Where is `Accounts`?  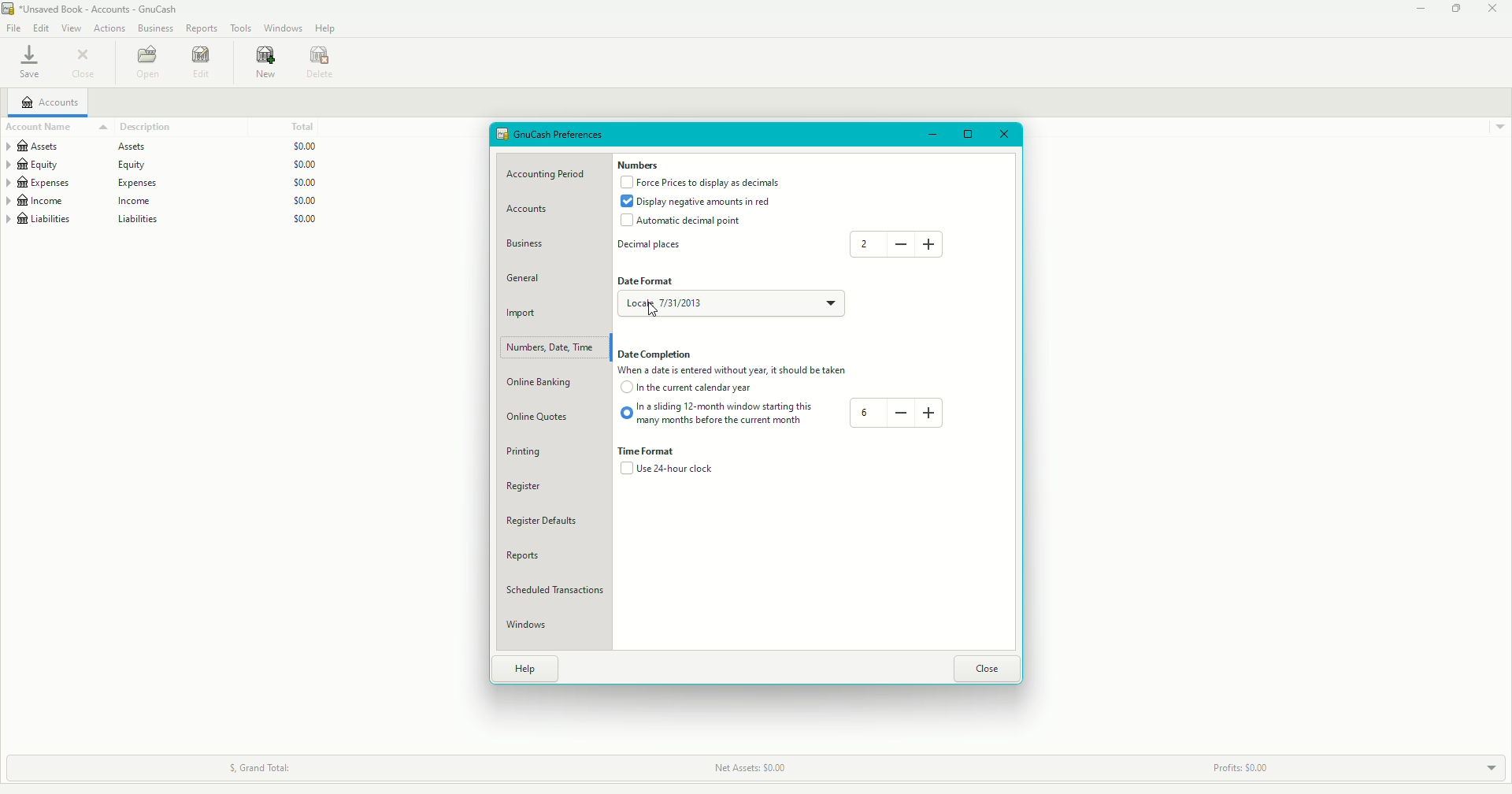
Accounts is located at coordinates (532, 211).